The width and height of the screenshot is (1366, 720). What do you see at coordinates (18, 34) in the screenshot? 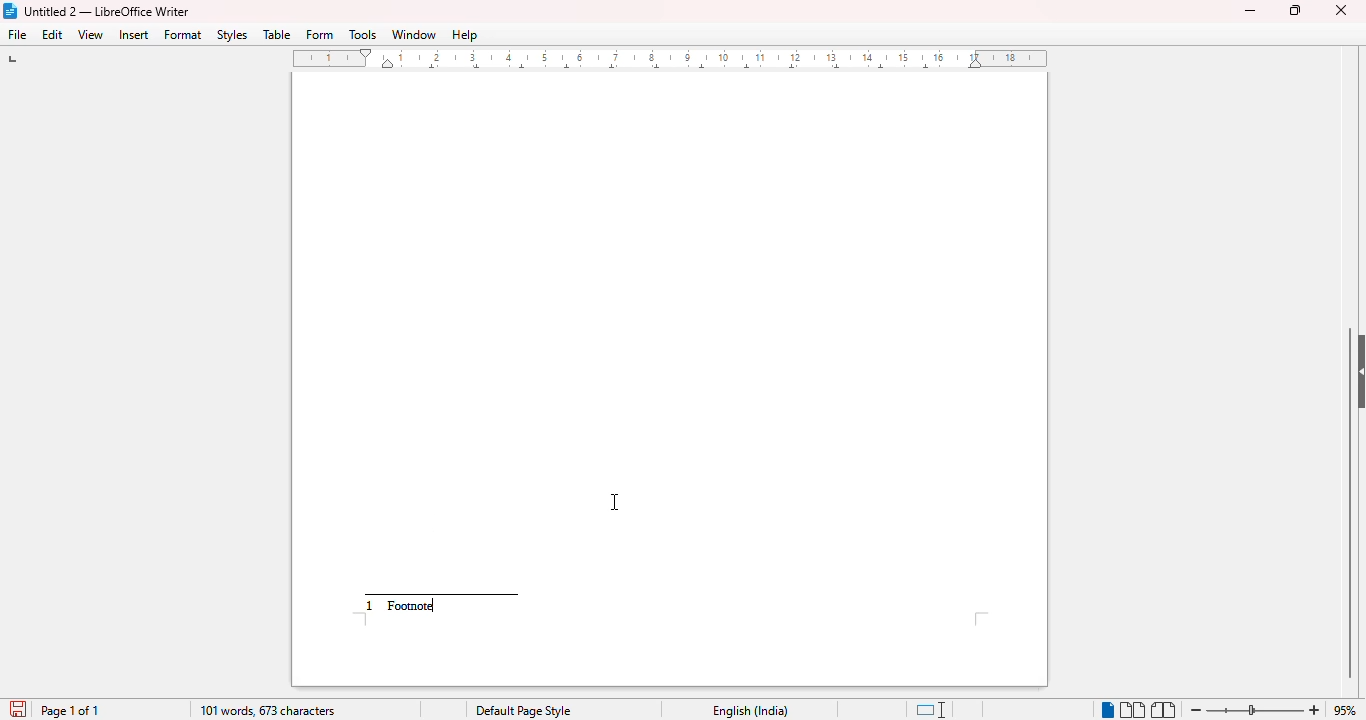
I see `file` at bounding box center [18, 34].